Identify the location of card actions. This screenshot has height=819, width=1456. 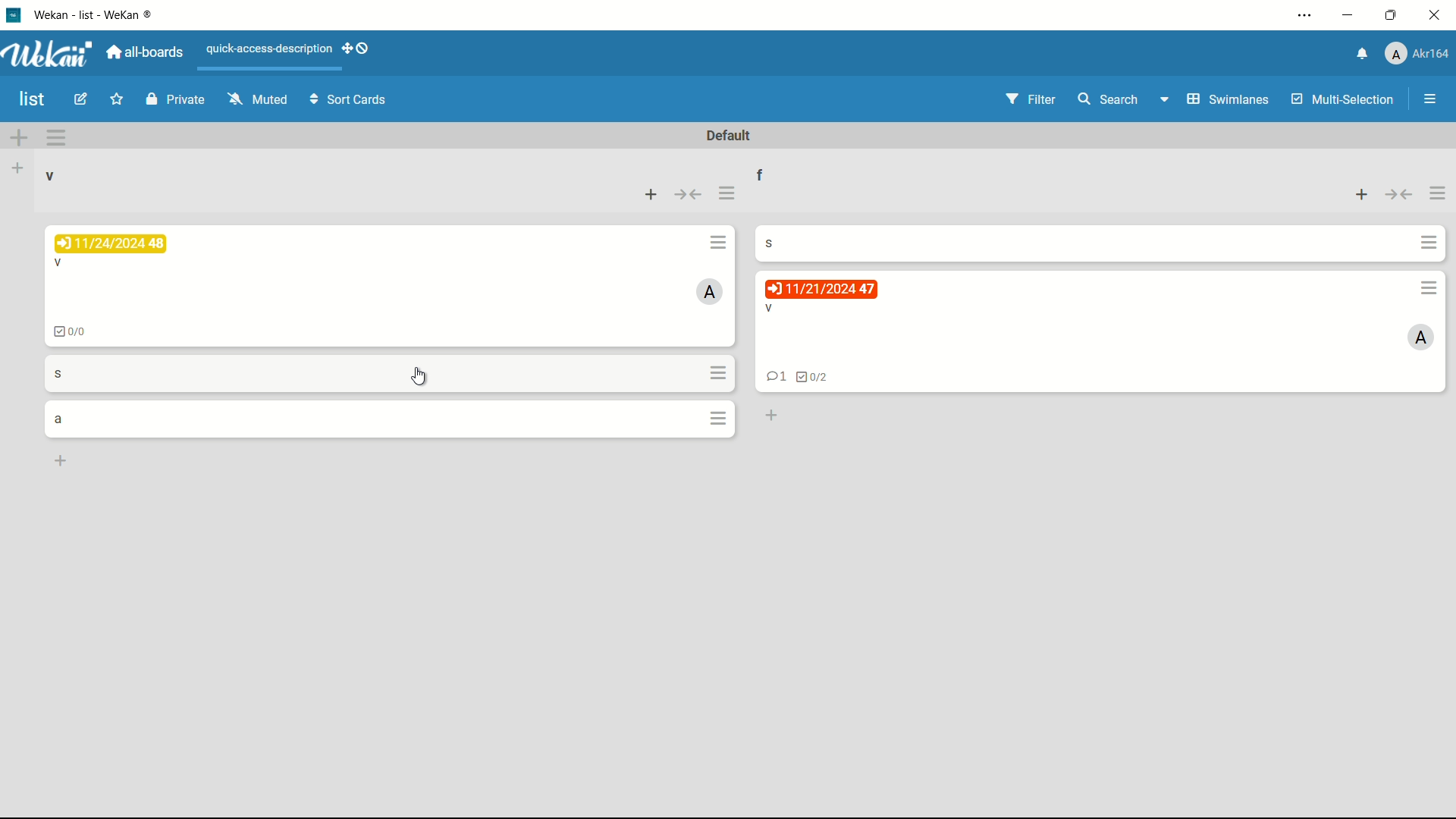
(721, 420).